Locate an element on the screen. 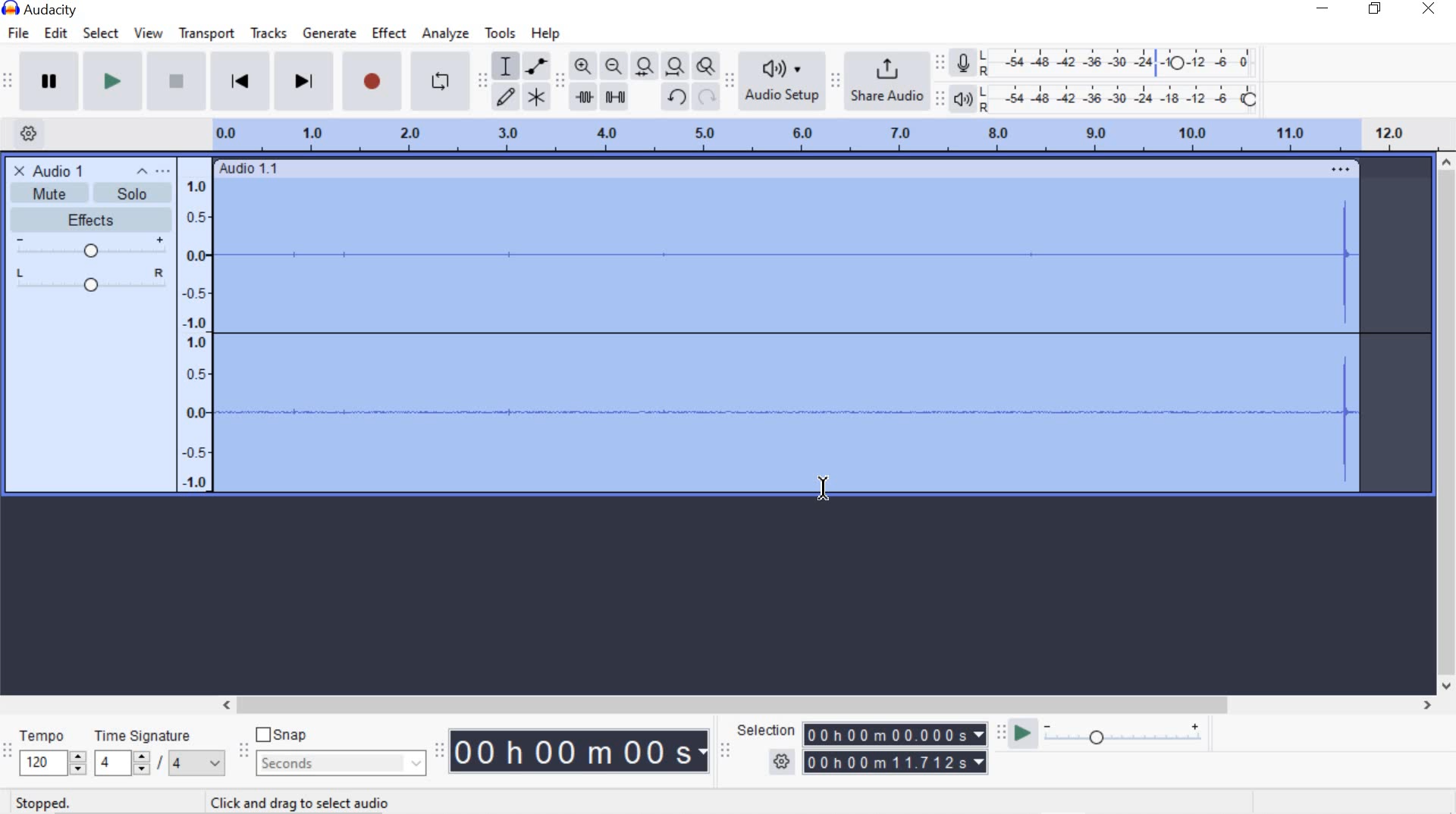 Image resolution: width=1456 pixels, height=814 pixels. Transport Toolbar is located at coordinates (10, 82).